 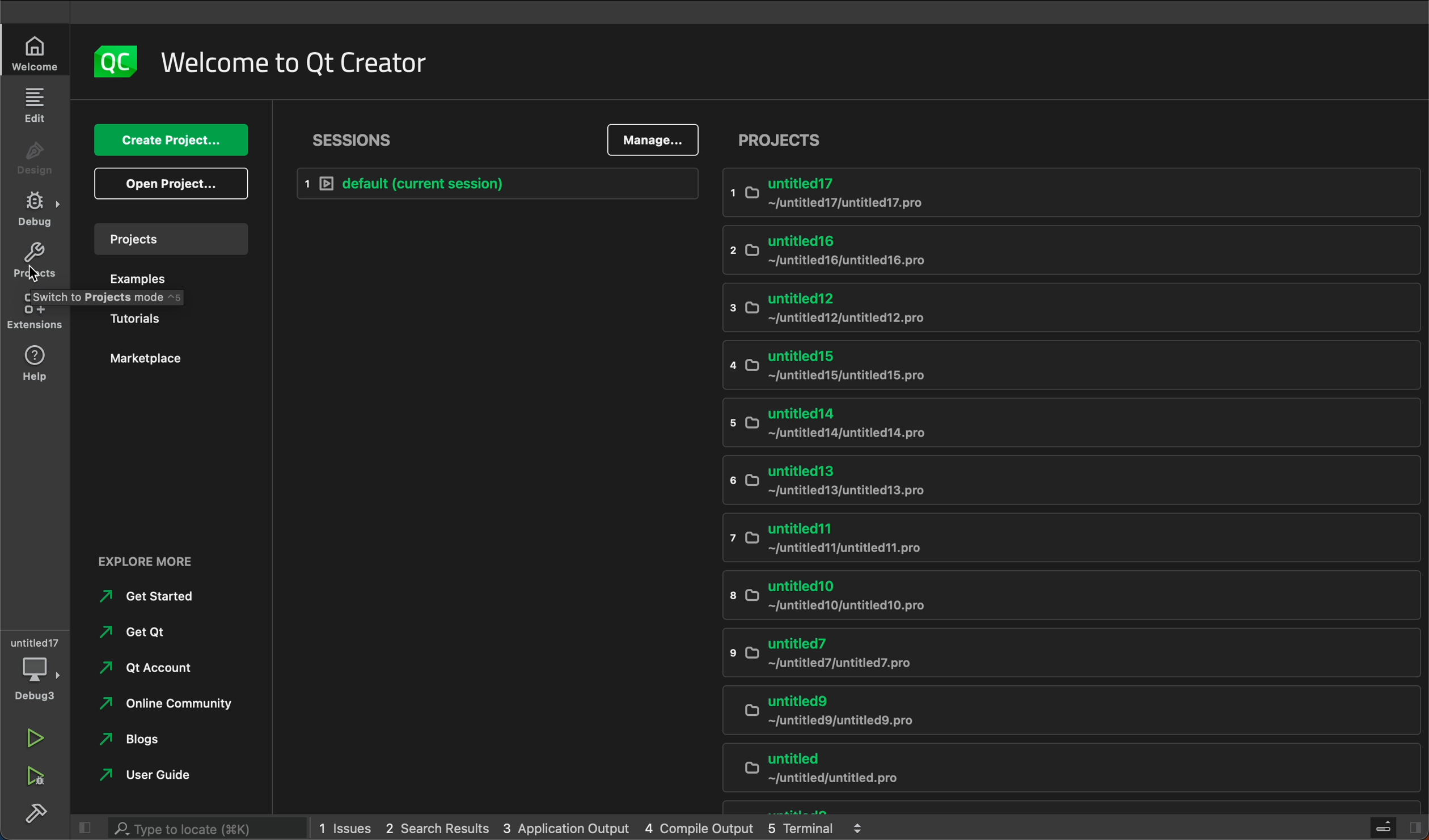 What do you see at coordinates (1068, 537) in the screenshot?
I see `untitled11` at bounding box center [1068, 537].